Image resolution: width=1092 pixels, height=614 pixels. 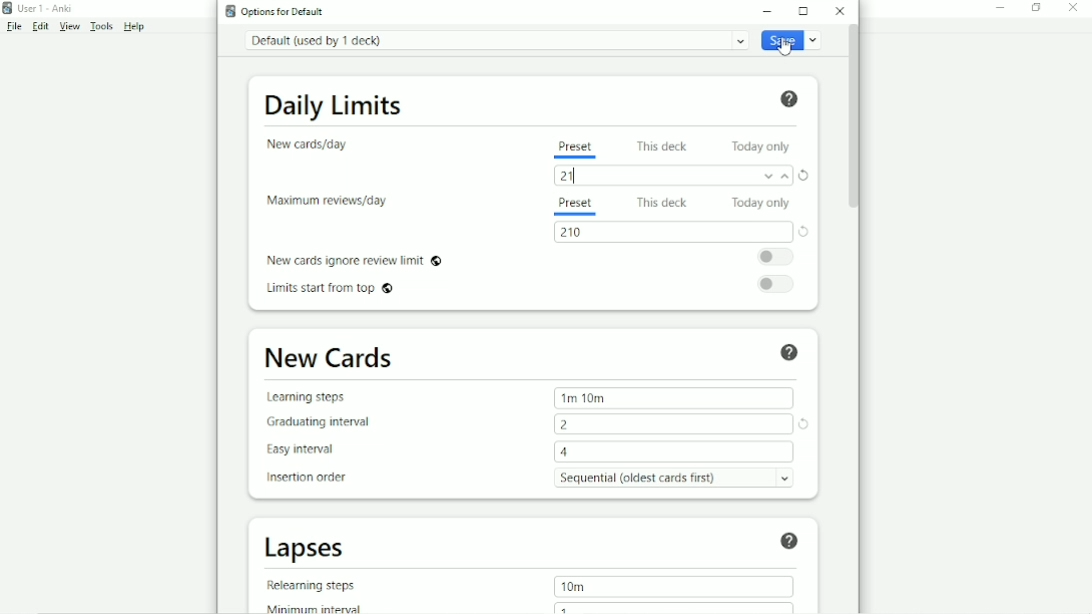 What do you see at coordinates (313, 608) in the screenshot?
I see `Minimum interval` at bounding box center [313, 608].